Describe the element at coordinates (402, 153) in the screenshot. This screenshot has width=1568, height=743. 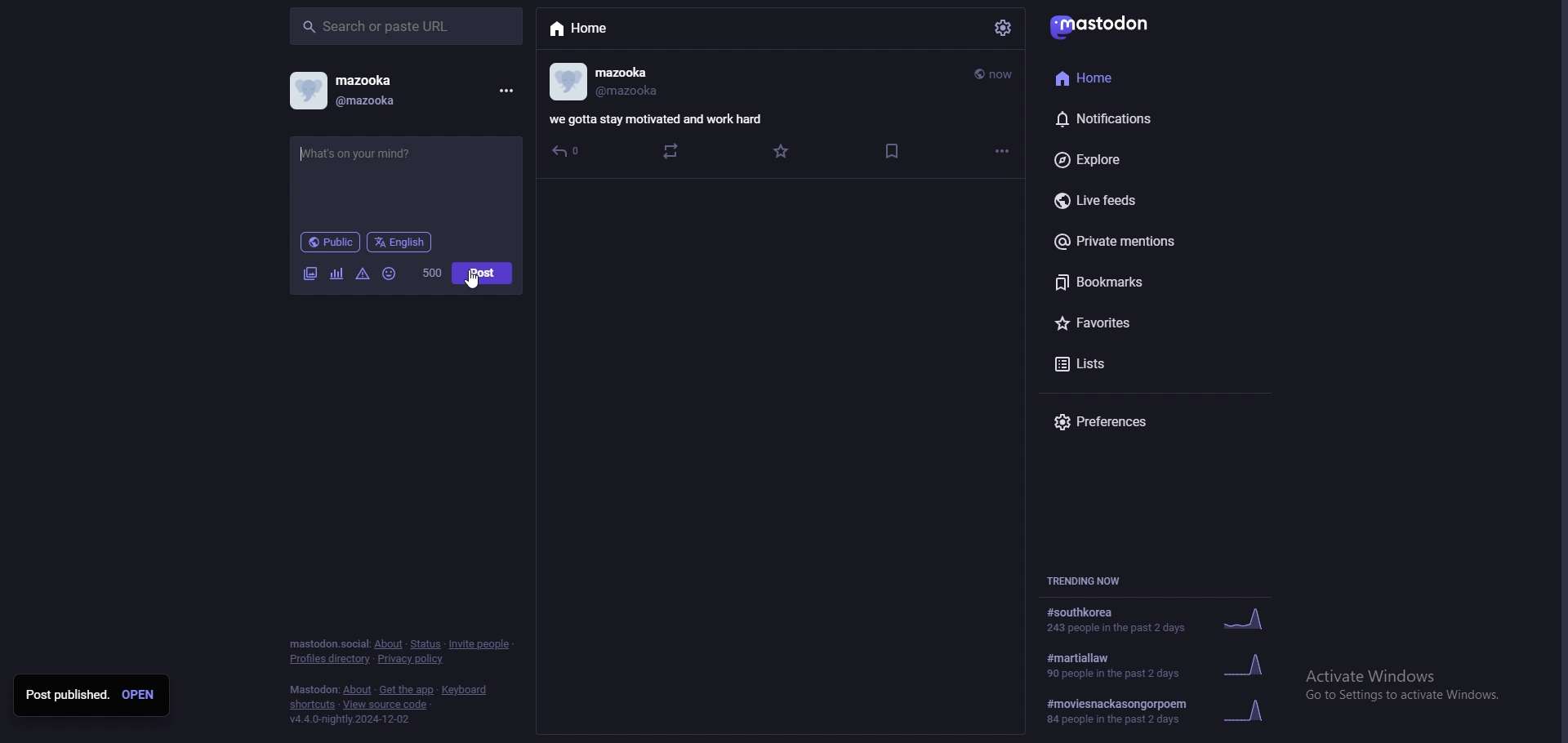
I see `motivation` at that location.